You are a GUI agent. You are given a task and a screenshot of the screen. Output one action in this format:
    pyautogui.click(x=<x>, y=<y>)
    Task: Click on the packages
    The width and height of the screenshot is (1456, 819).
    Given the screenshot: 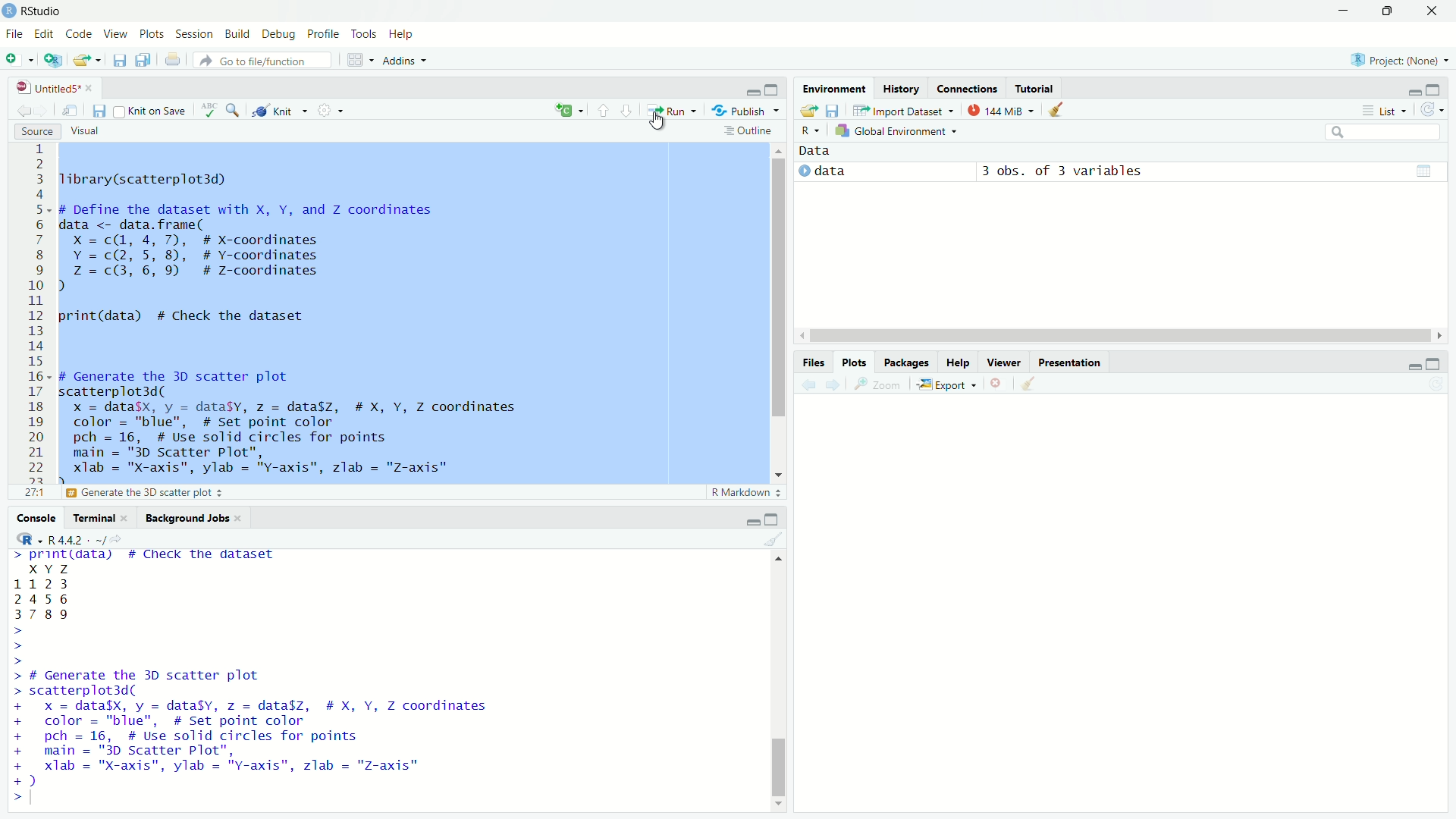 What is the action you would take?
    pyautogui.click(x=905, y=362)
    